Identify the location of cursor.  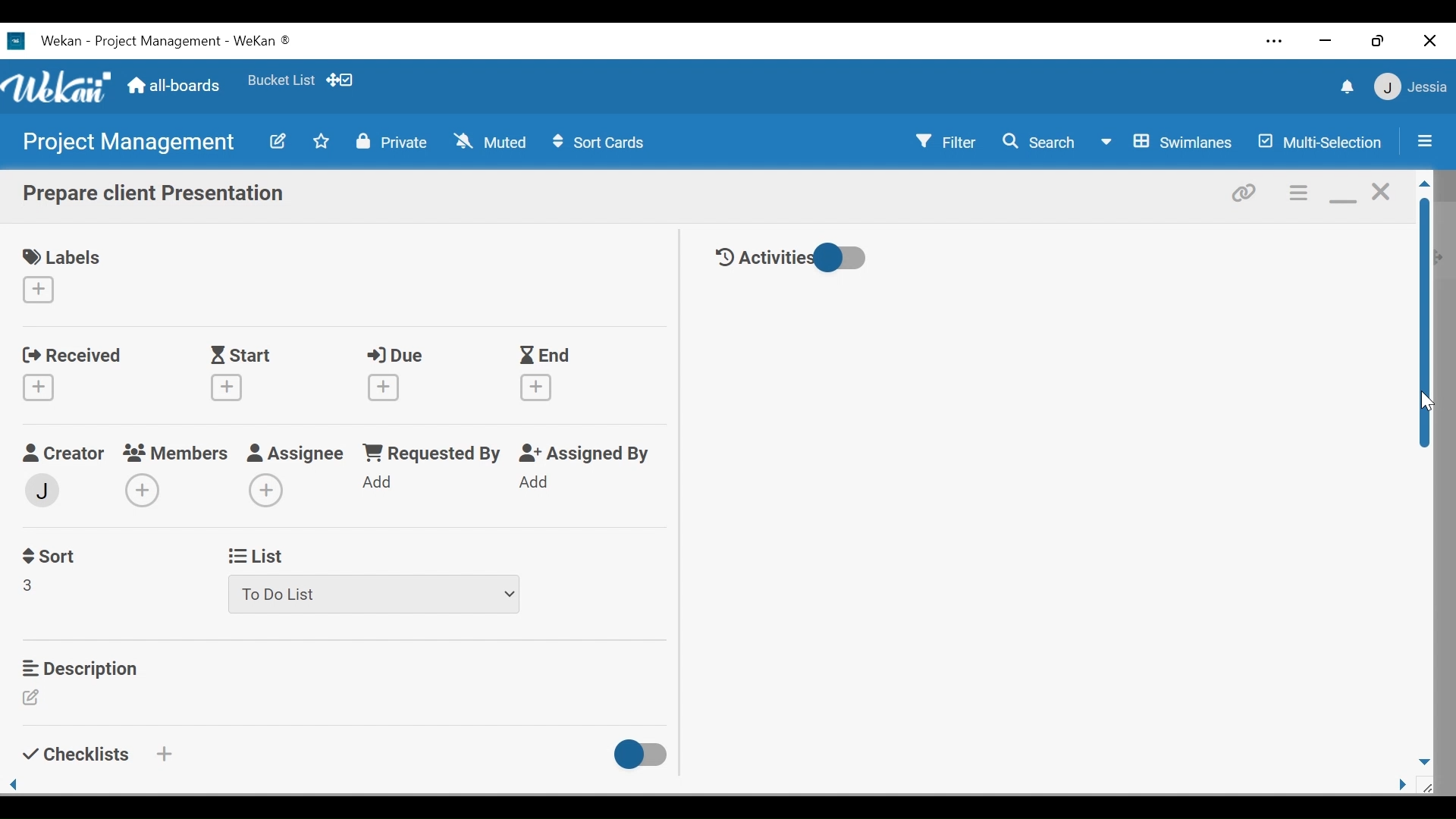
(1425, 401).